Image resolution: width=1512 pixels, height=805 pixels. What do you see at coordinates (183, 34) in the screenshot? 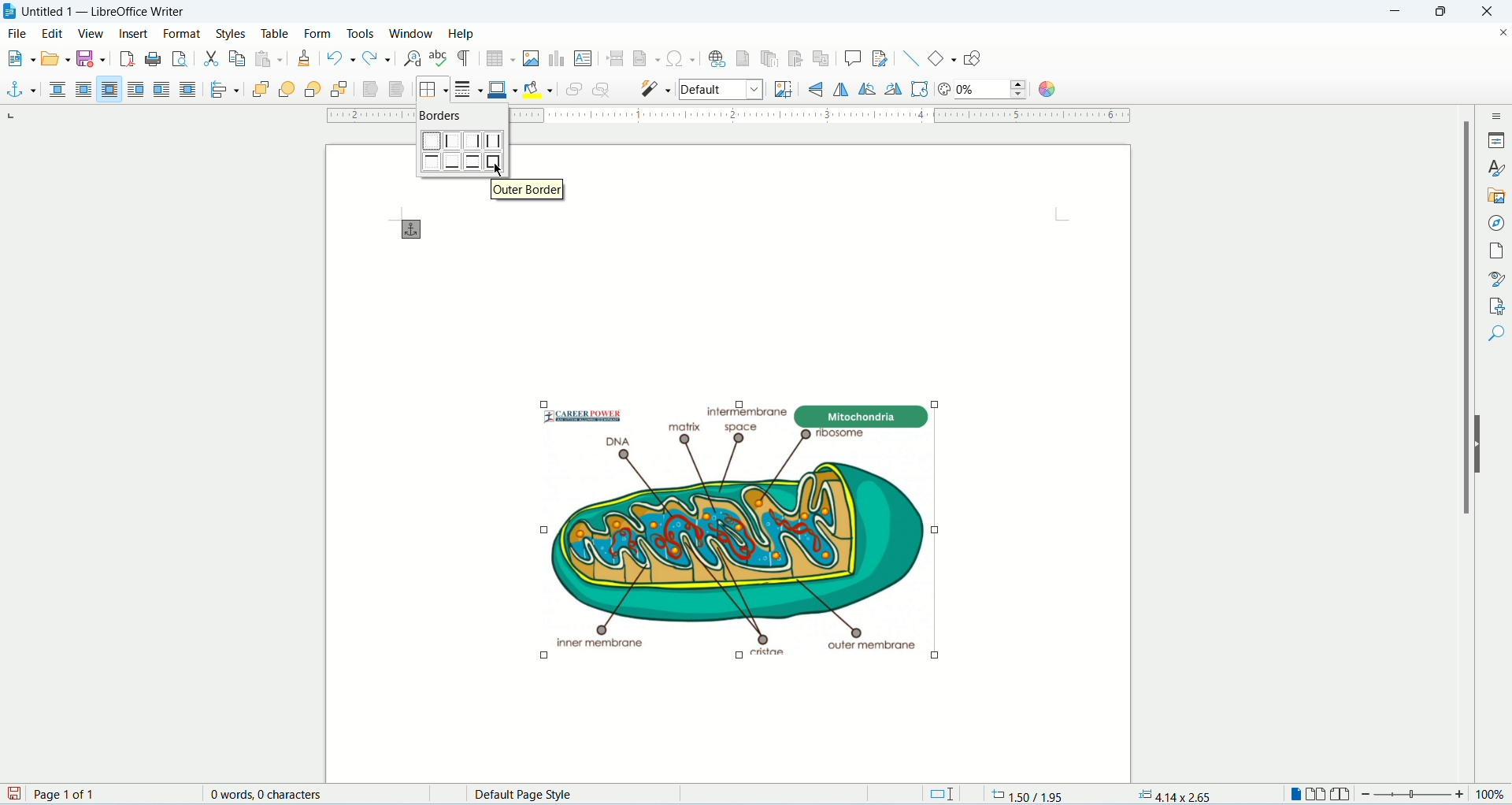
I see `format` at bounding box center [183, 34].